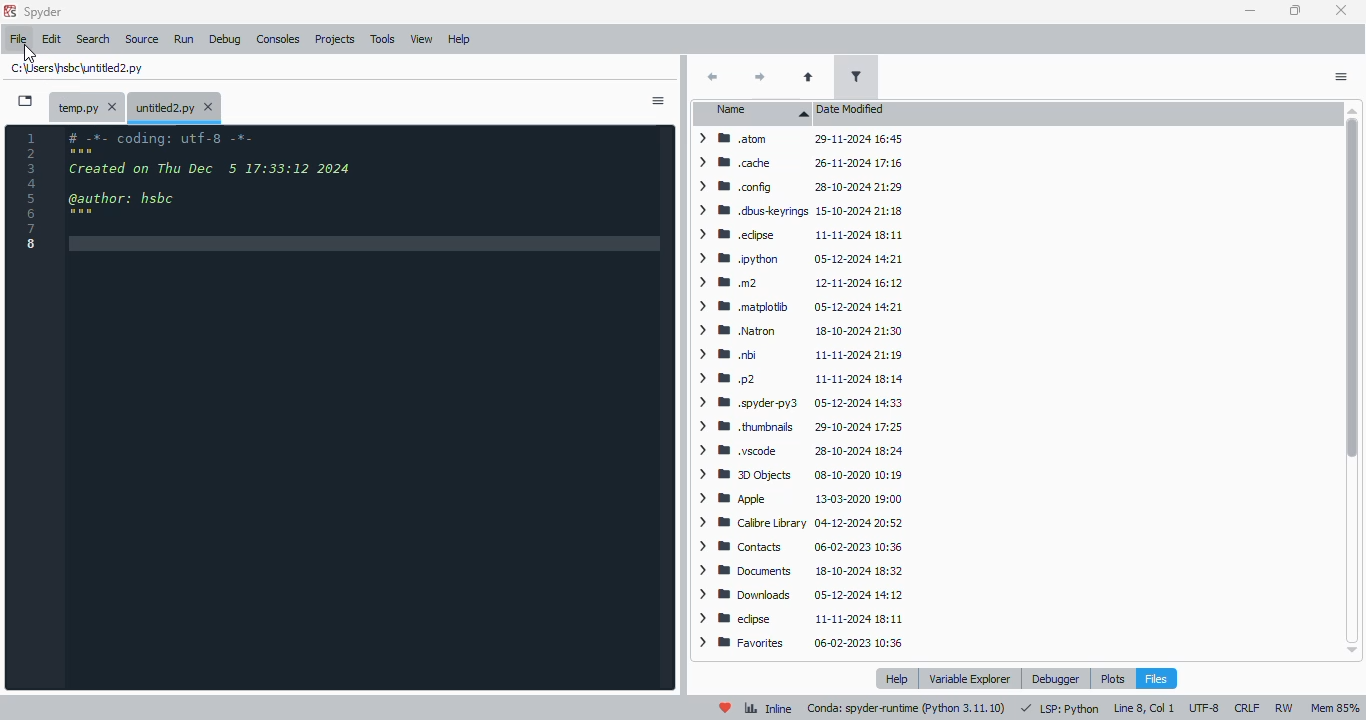 Image resolution: width=1366 pixels, height=720 pixels. What do you see at coordinates (797, 401) in the screenshot?
I see `> B .spyderpy3 05-12-2024 14:33` at bounding box center [797, 401].